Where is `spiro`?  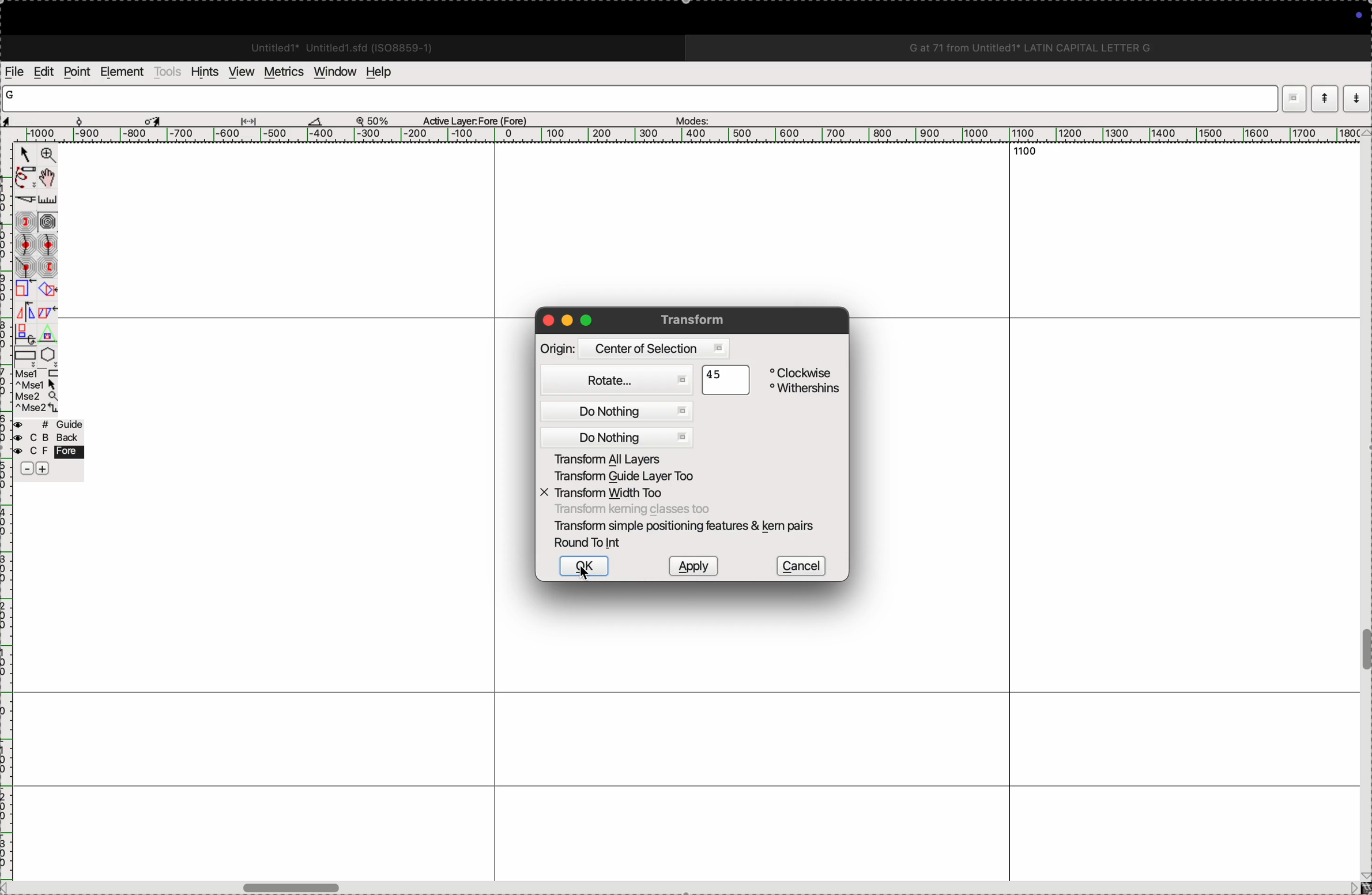 spiro is located at coordinates (48, 221).